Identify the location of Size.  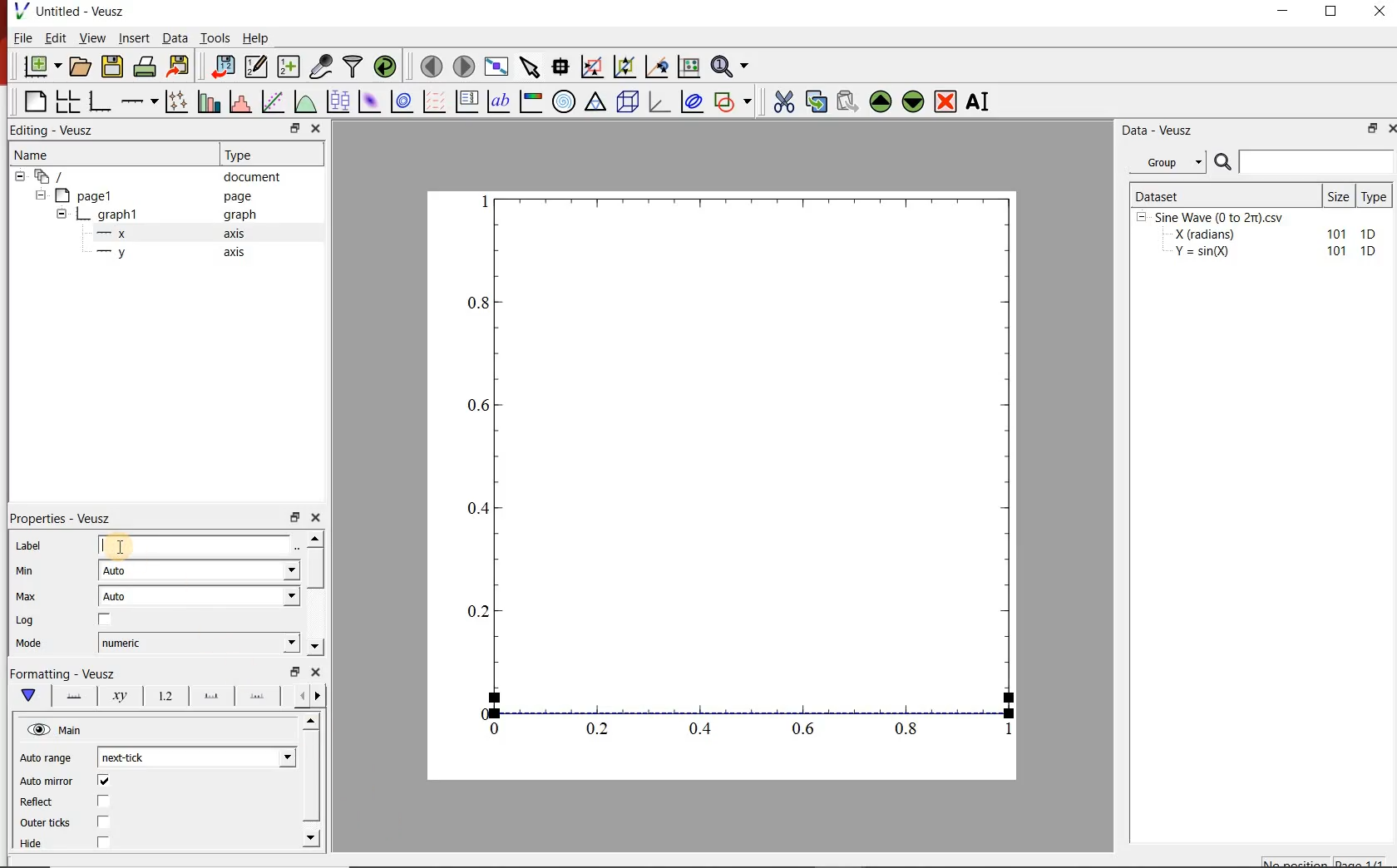
(1340, 195).